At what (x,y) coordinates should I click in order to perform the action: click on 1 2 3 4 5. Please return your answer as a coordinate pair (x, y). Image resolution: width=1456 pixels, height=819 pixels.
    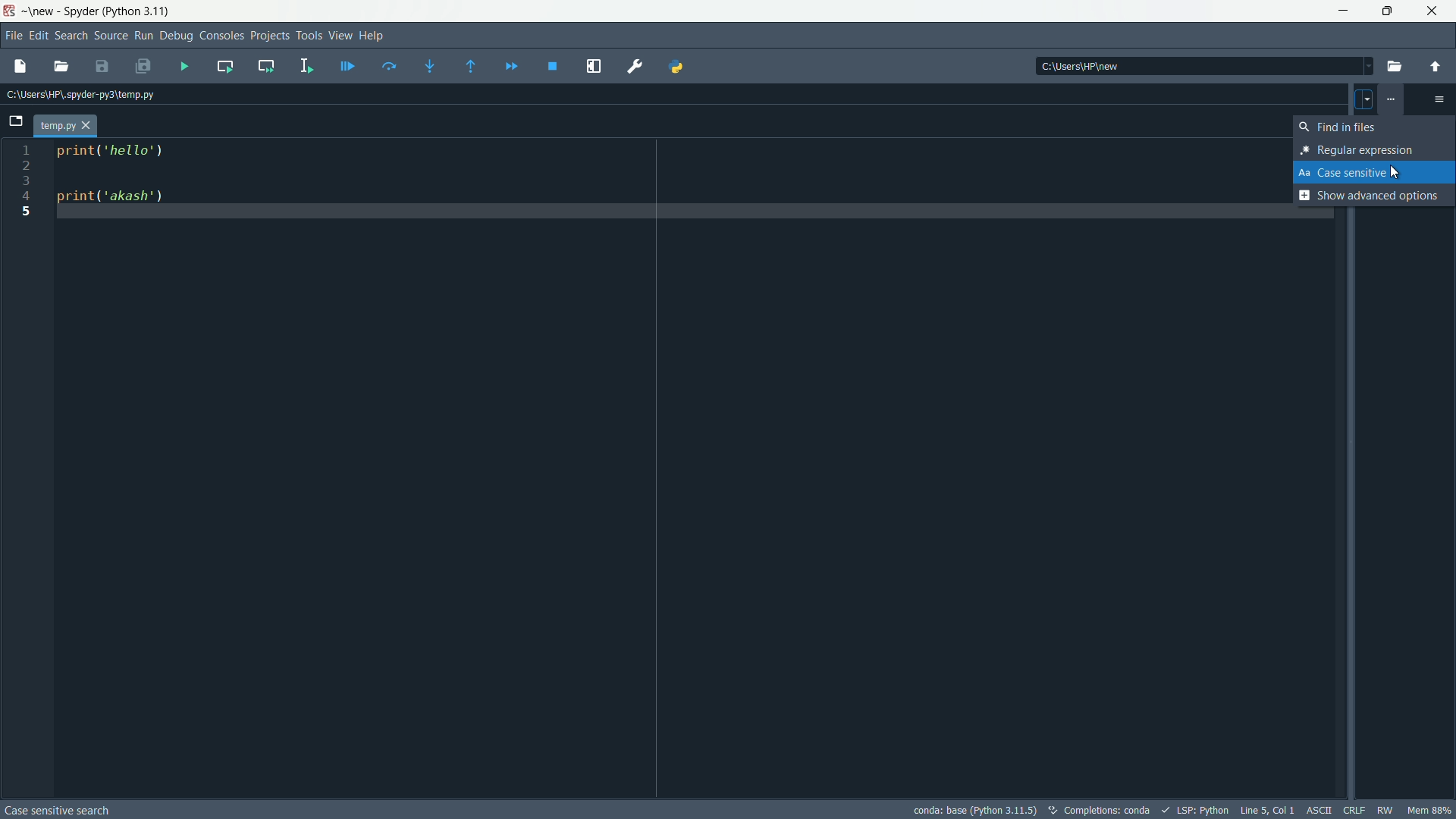
    Looking at the image, I should click on (25, 188).